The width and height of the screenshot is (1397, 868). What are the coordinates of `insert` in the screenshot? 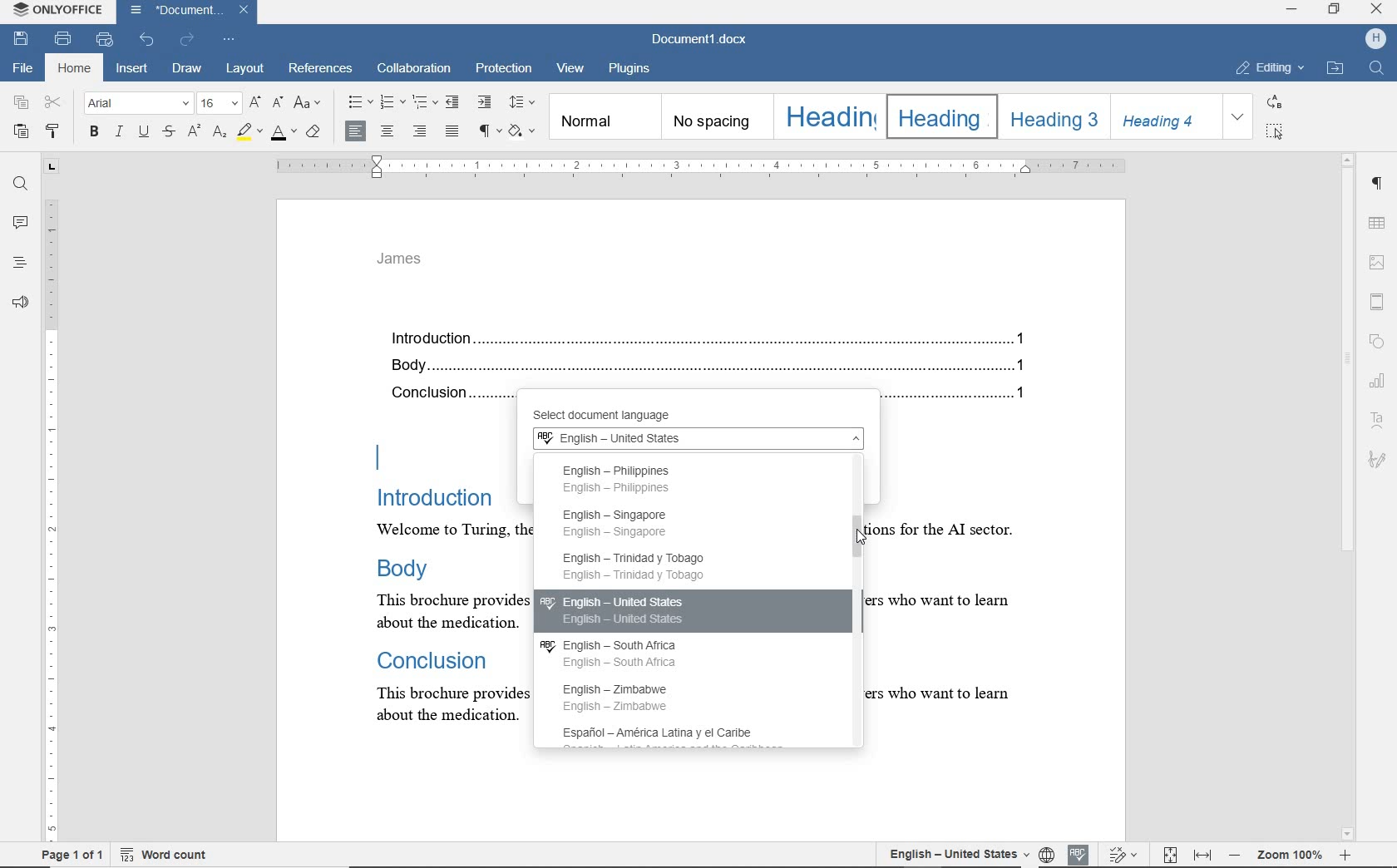 It's located at (131, 69).